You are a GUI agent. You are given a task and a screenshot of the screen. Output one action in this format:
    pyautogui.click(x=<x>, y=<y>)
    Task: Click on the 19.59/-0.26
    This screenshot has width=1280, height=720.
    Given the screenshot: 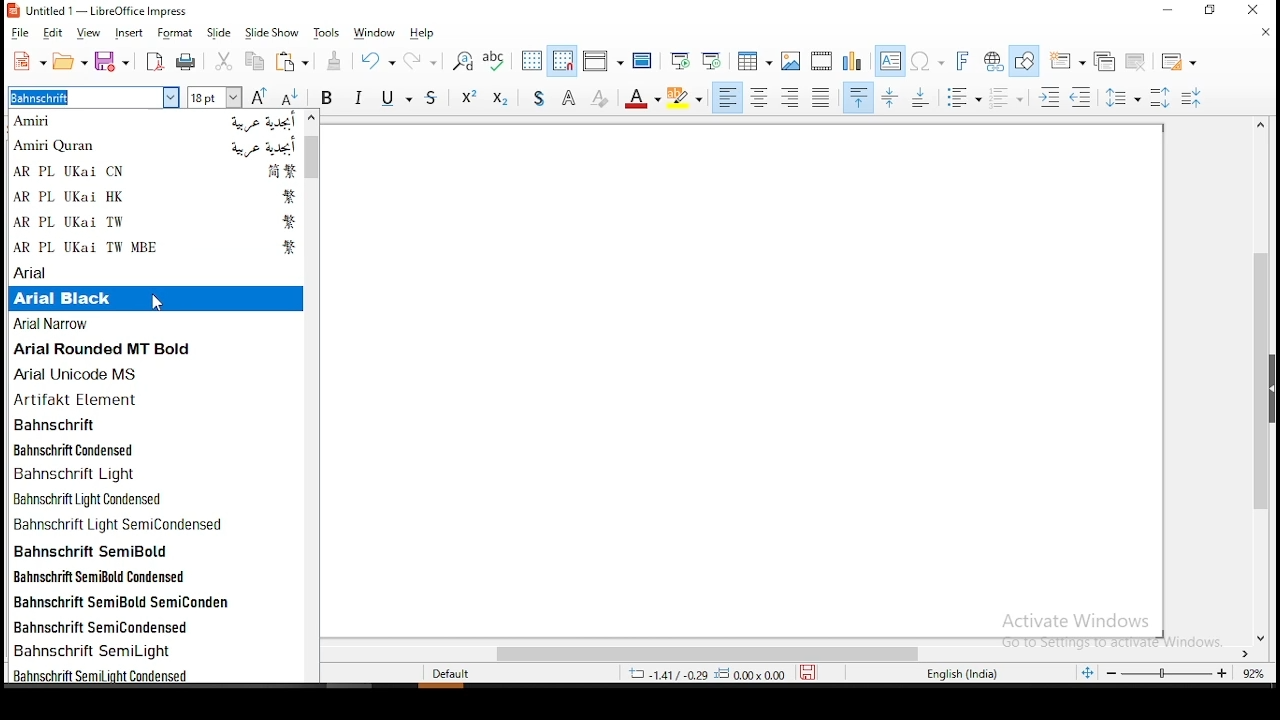 What is the action you would take?
    pyautogui.click(x=661, y=674)
    